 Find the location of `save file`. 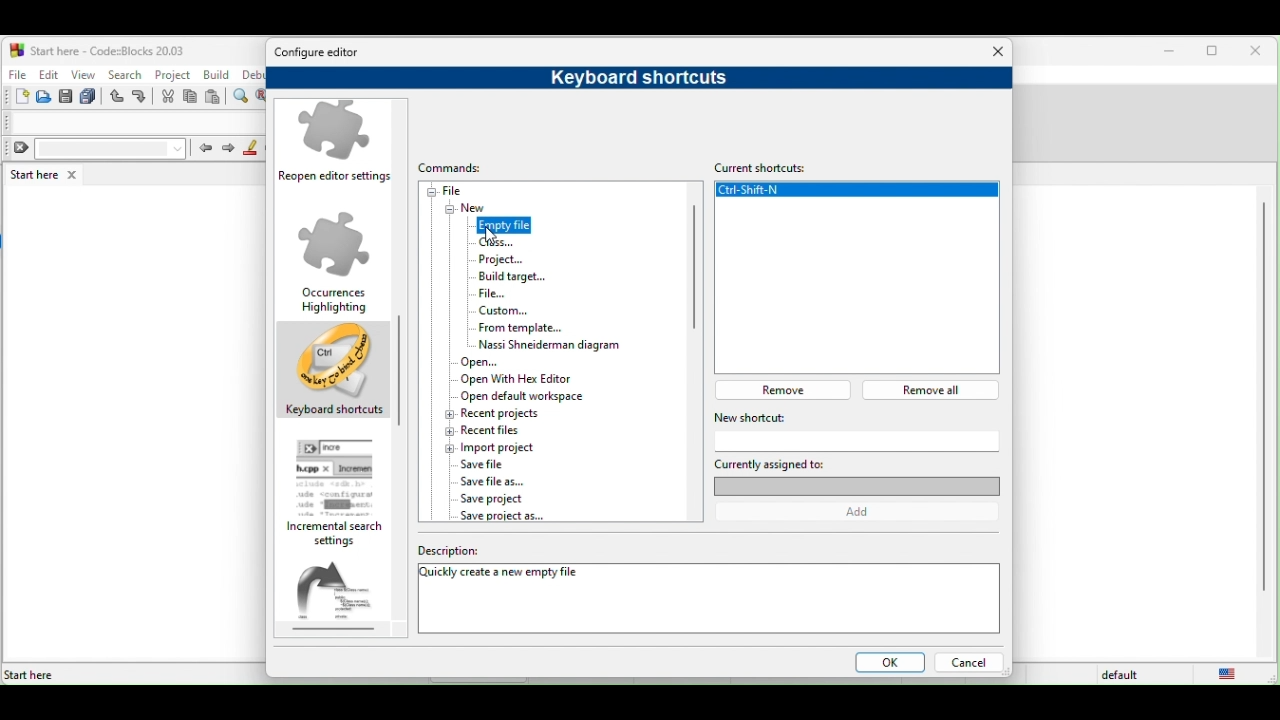

save file is located at coordinates (485, 465).